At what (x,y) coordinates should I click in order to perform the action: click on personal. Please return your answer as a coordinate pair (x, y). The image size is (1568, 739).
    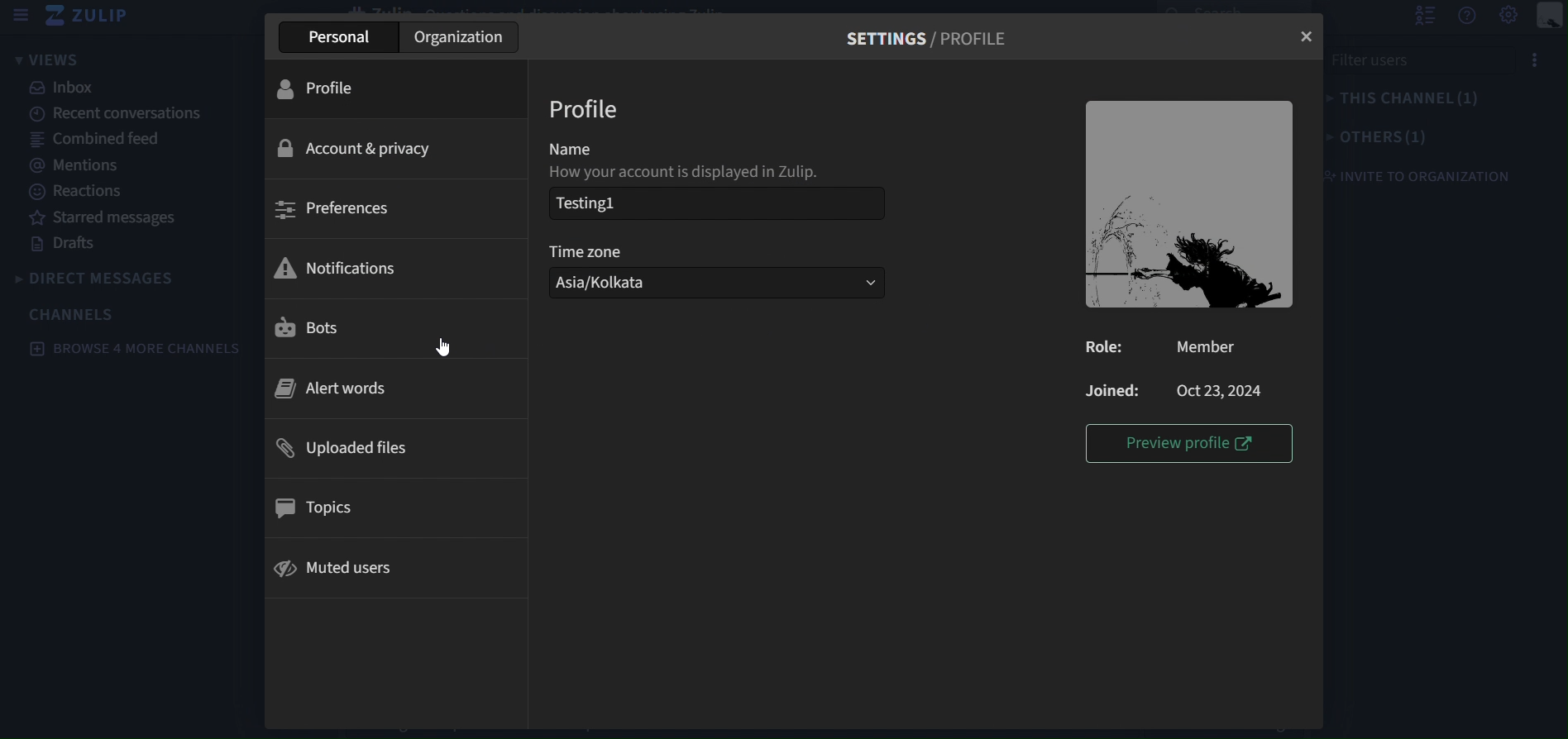
    Looking at the image, I should click on (336, 37).